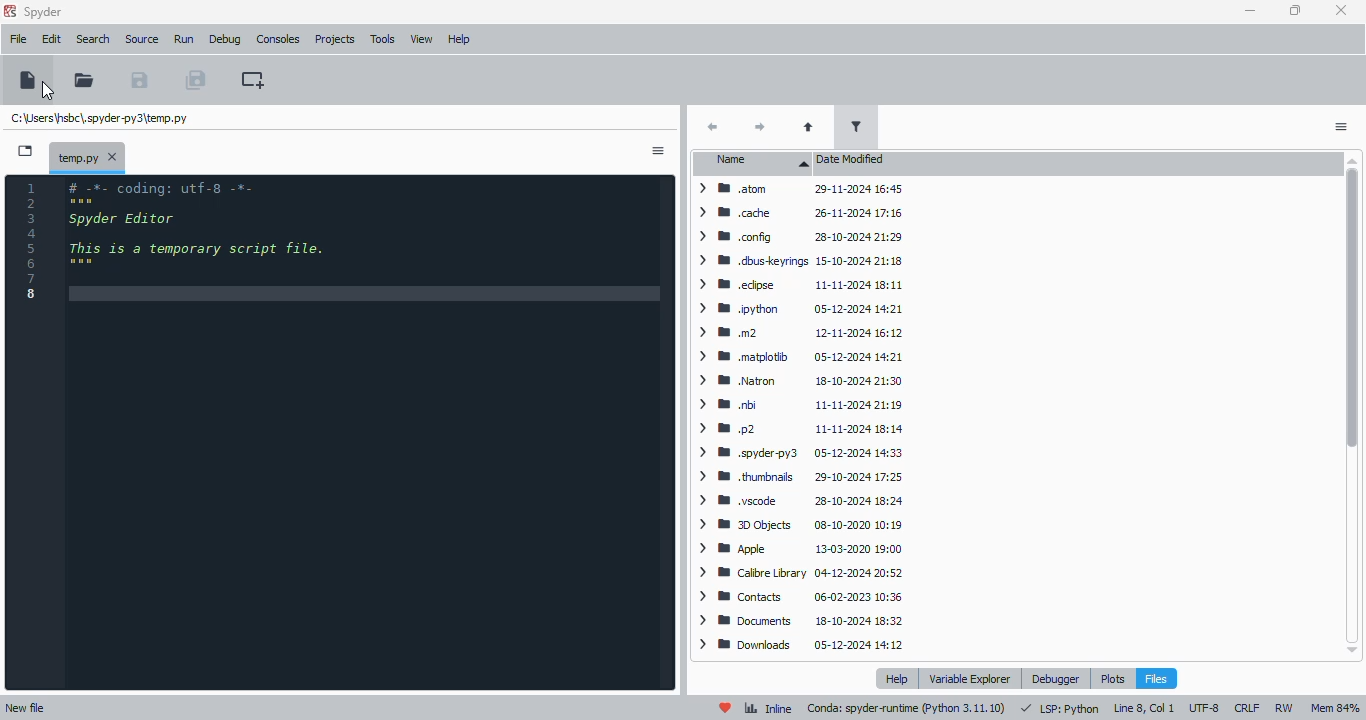 This screenshot has height=720, width=1366. Describe the element at coordinates (970, 679) in the screenshot. I see `variable explorer` at that location.